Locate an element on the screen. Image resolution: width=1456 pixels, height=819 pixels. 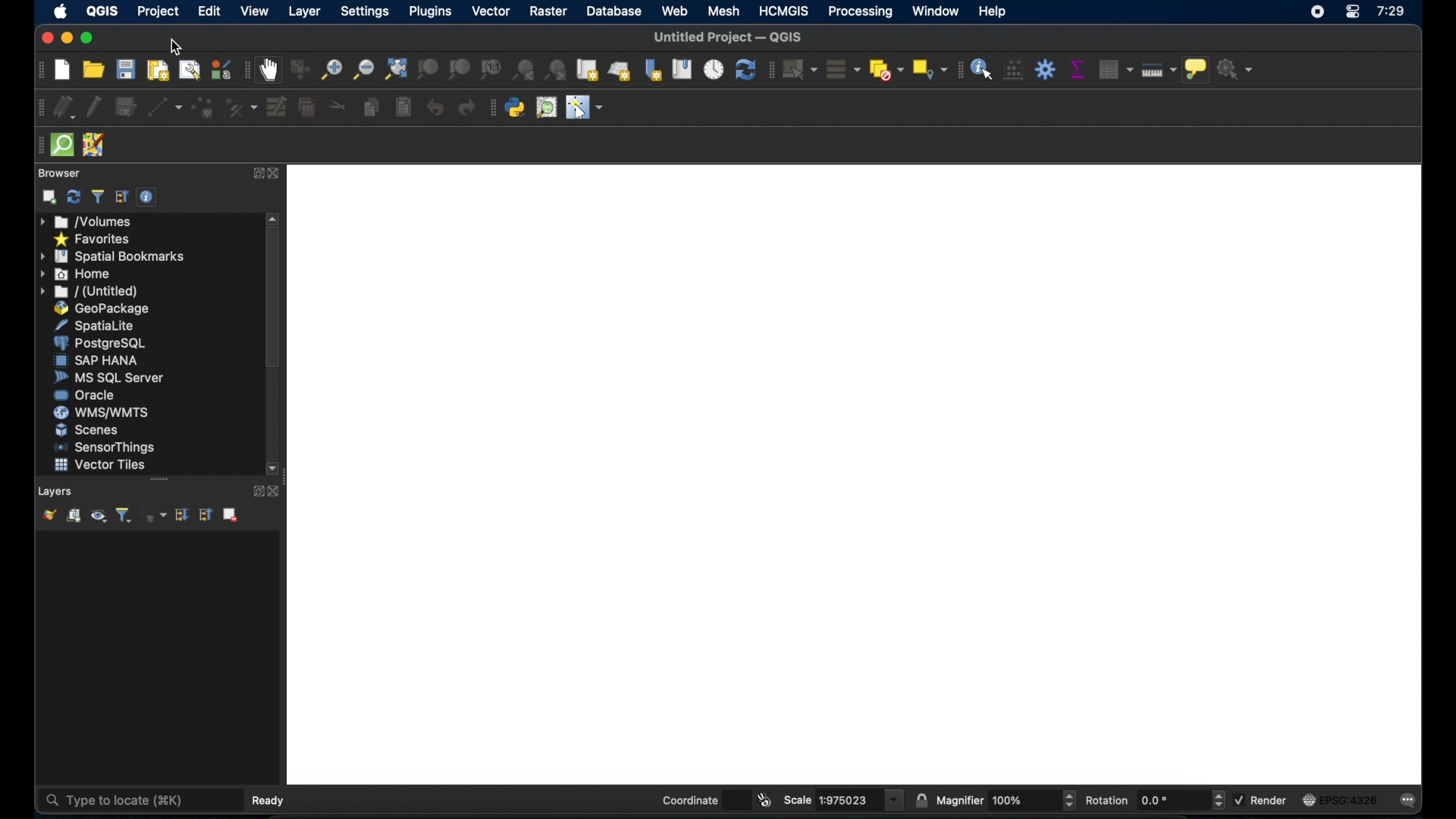
scale value dropdown is located at coordinates (895, 799).